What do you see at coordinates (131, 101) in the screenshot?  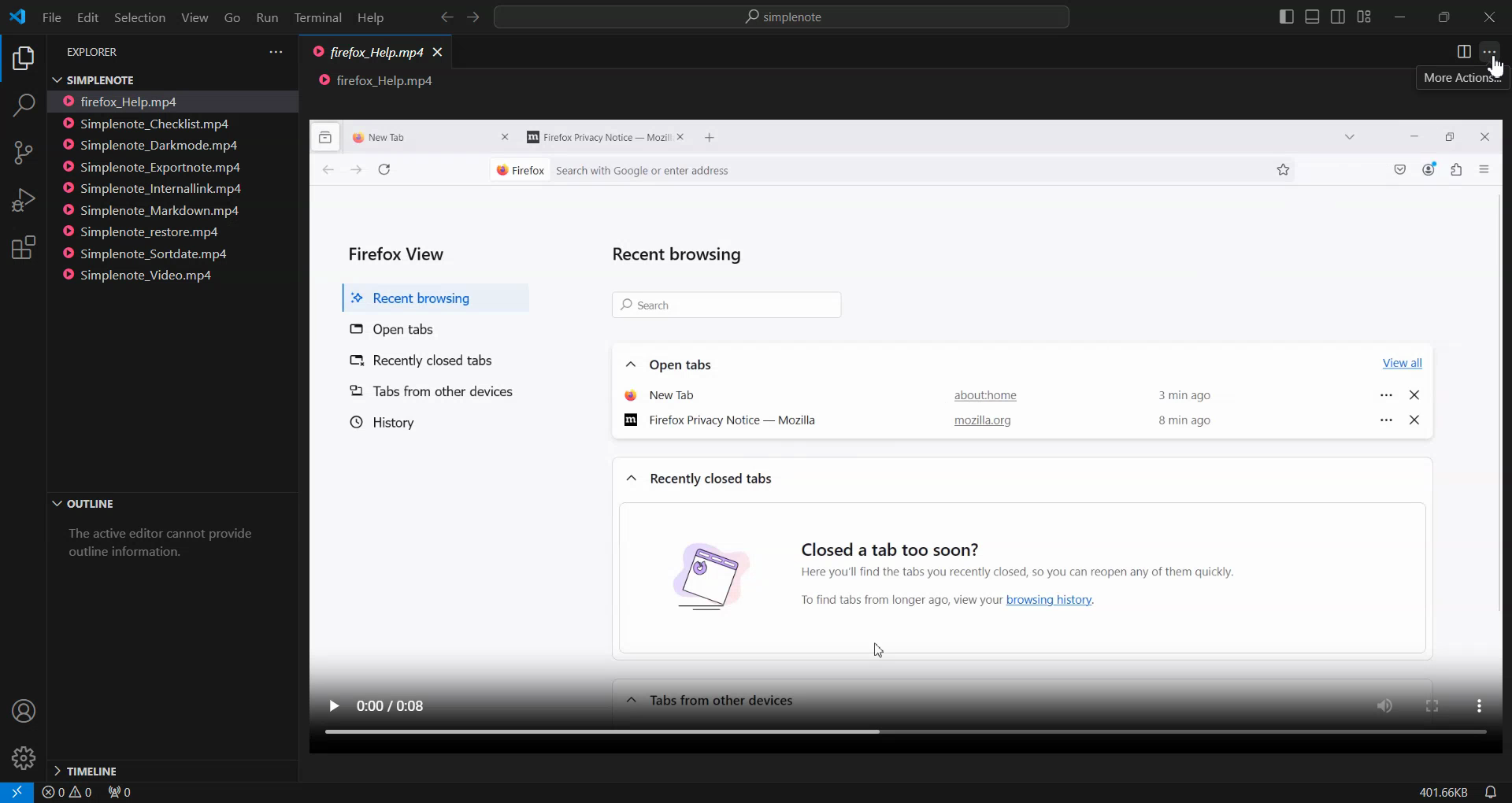 I see `firefox_Help.mp4` at bounding box center [131, 101].